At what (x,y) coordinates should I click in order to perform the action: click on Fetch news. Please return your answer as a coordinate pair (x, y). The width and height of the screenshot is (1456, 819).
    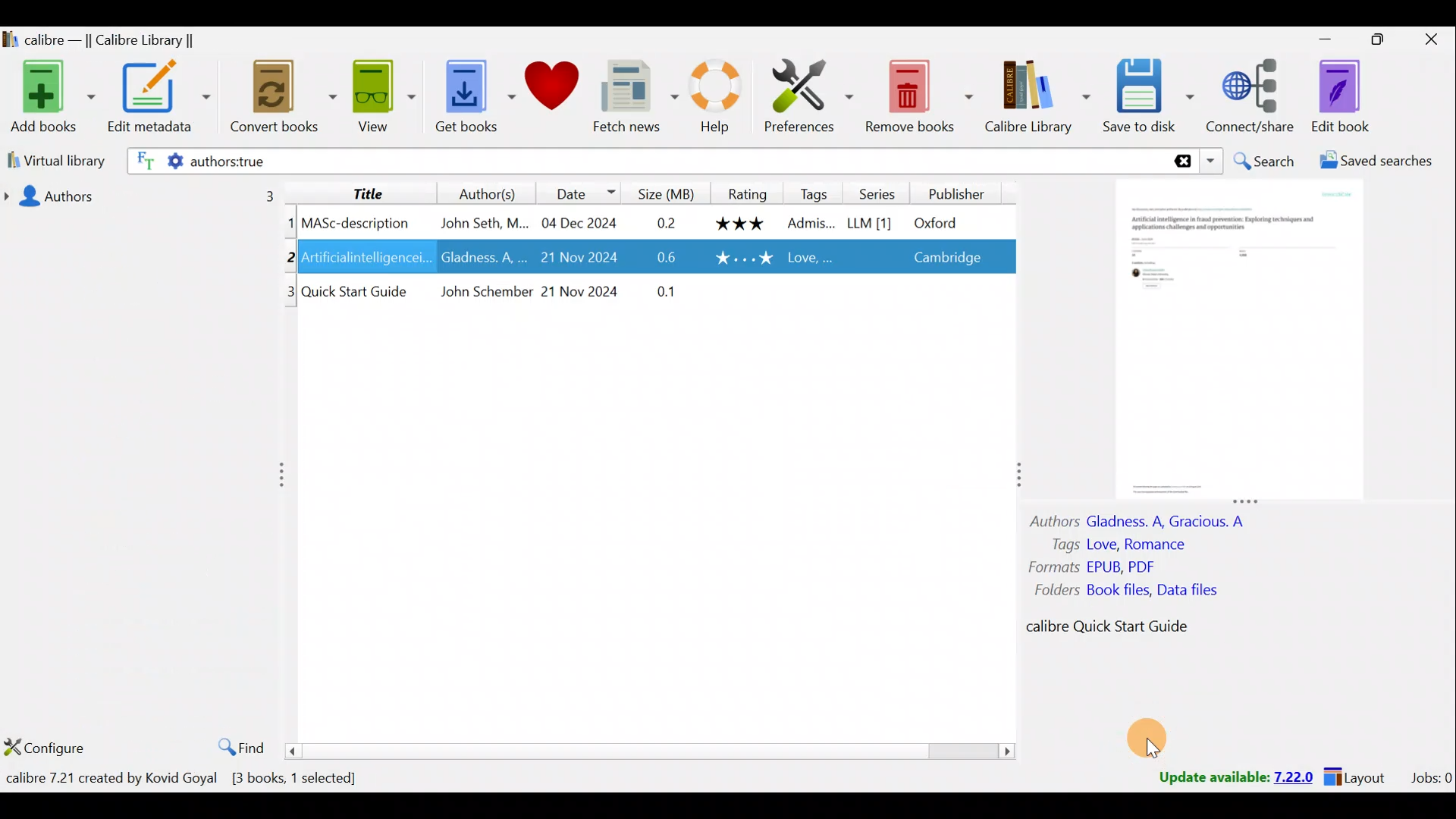
    Looking at the image, I should click on (626, 96).